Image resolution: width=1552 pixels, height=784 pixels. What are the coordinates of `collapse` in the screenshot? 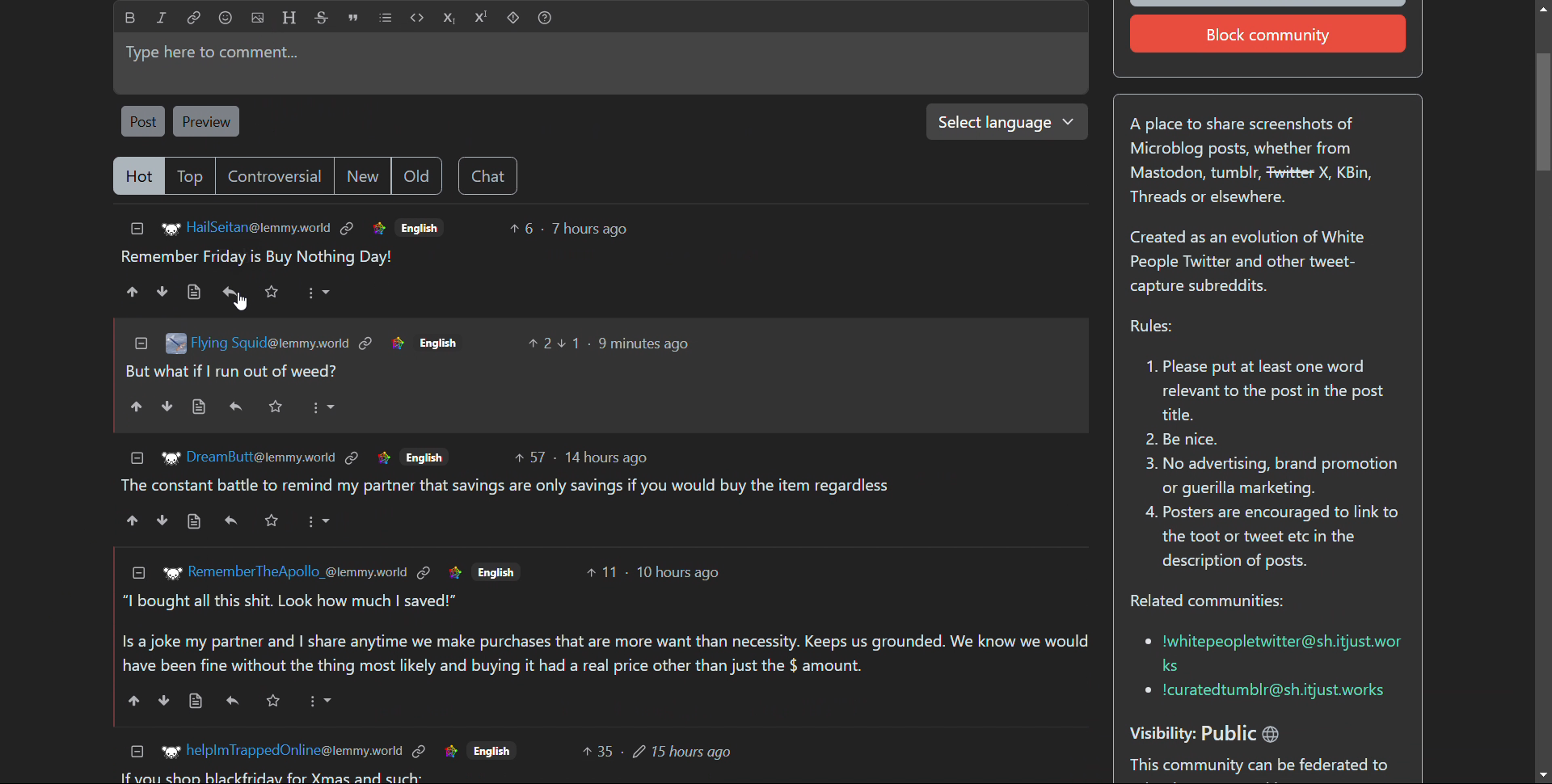 It's located at (141, 343).